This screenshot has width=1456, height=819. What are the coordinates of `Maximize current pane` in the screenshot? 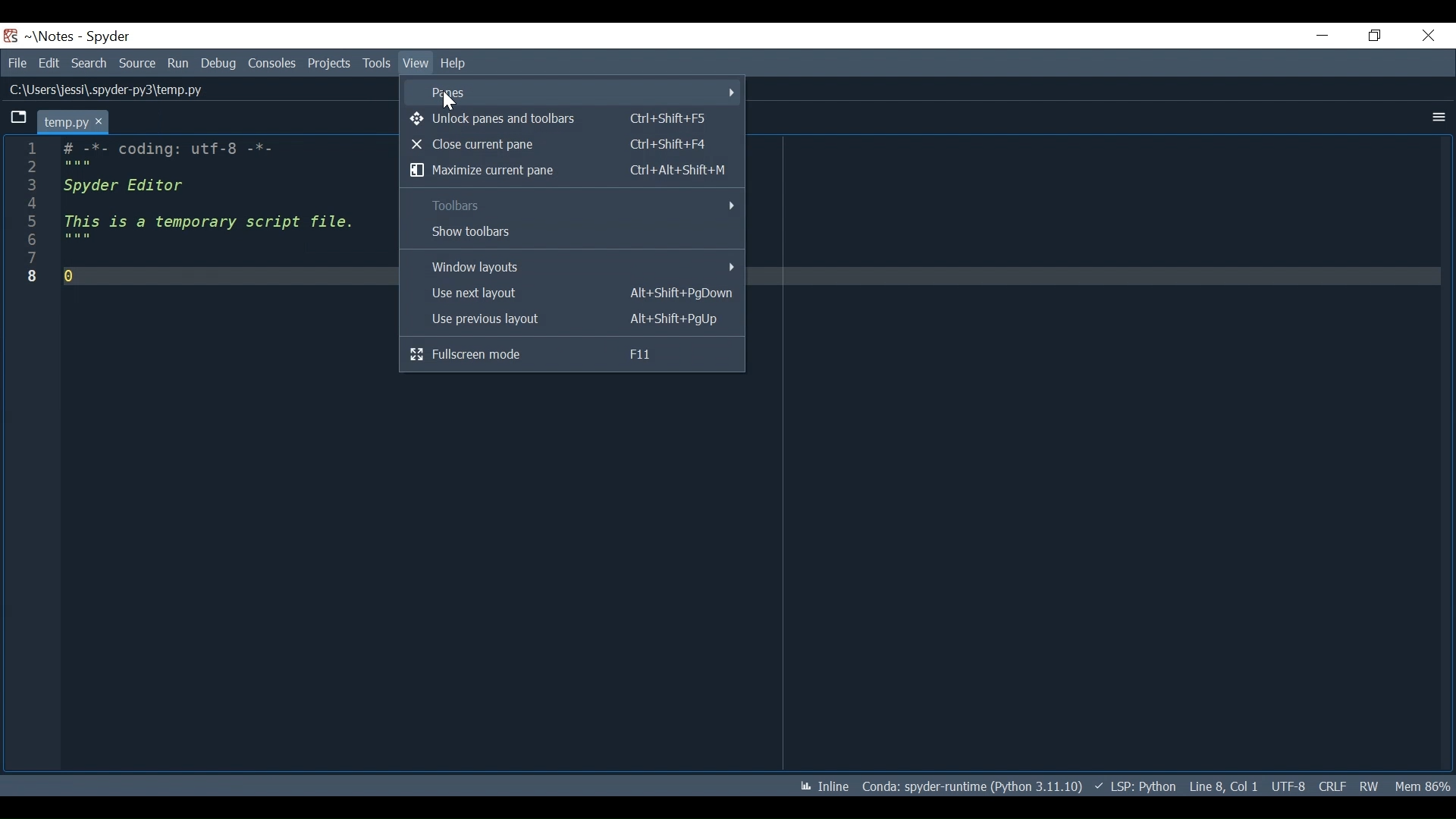 It's located at (570, 169).